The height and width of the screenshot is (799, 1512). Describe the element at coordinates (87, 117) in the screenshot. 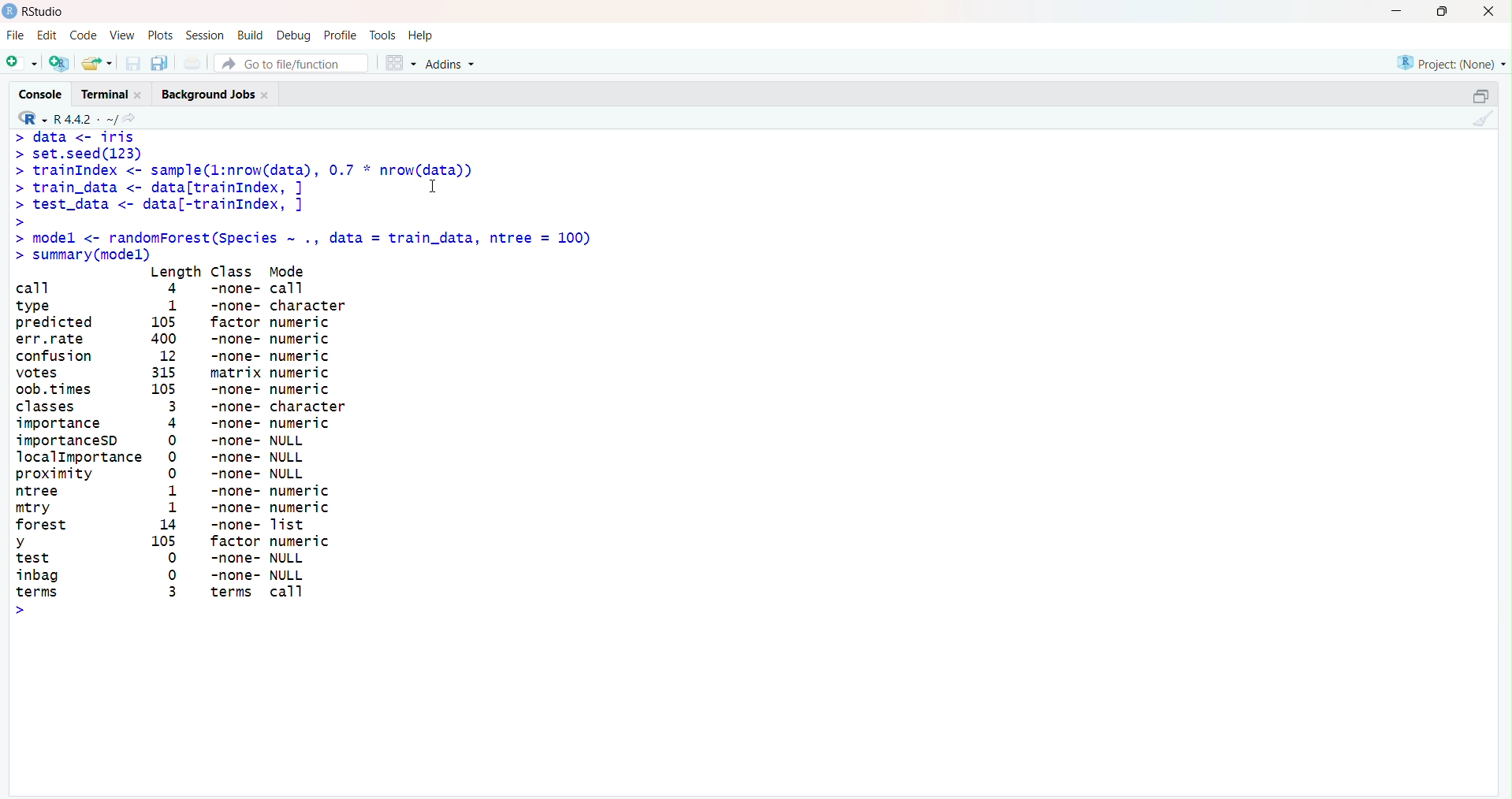

I see `R.4.4.2. ~/` at that location.